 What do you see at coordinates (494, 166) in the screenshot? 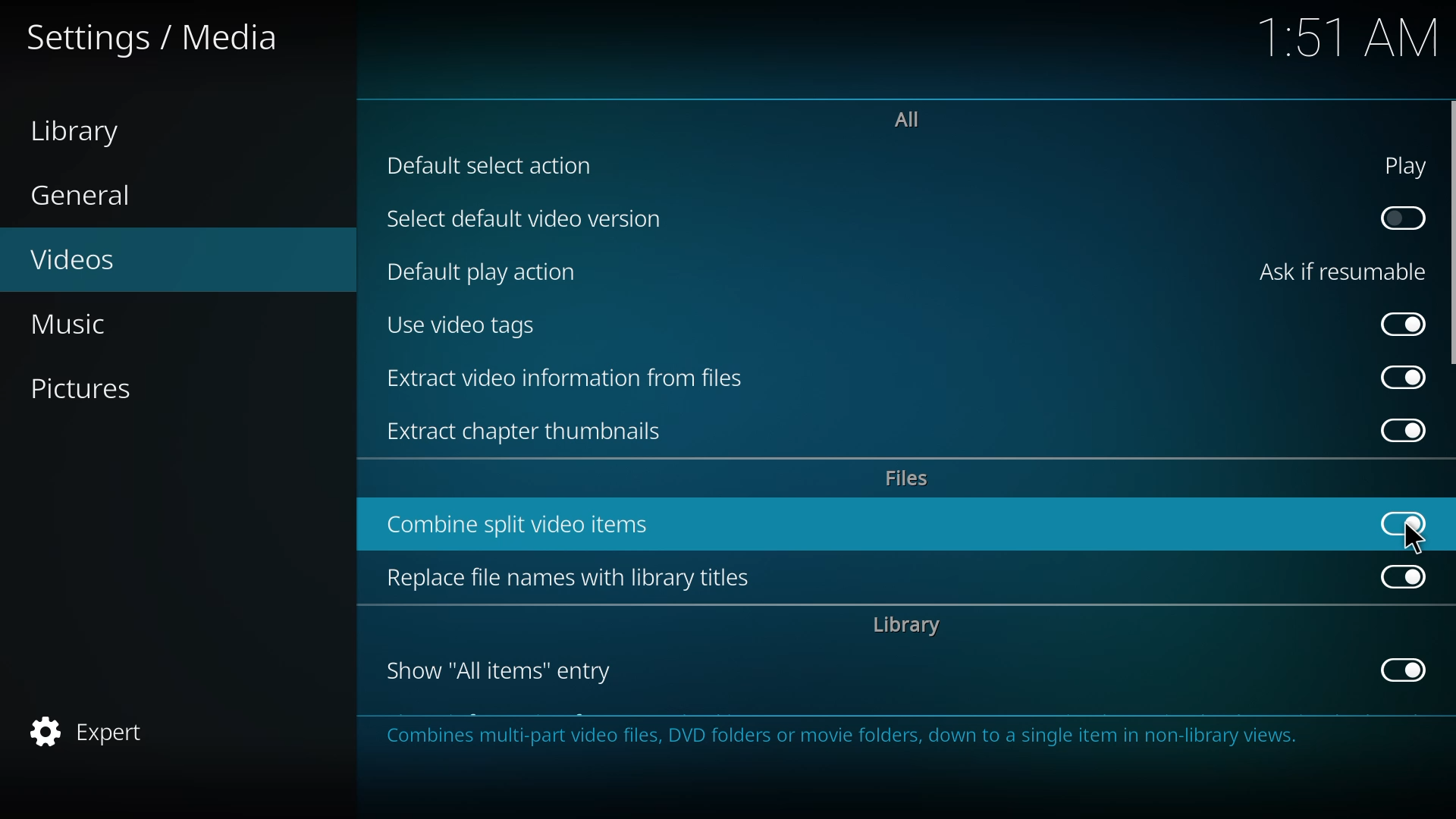
I see `default selection` at bounding box center [494, 166].